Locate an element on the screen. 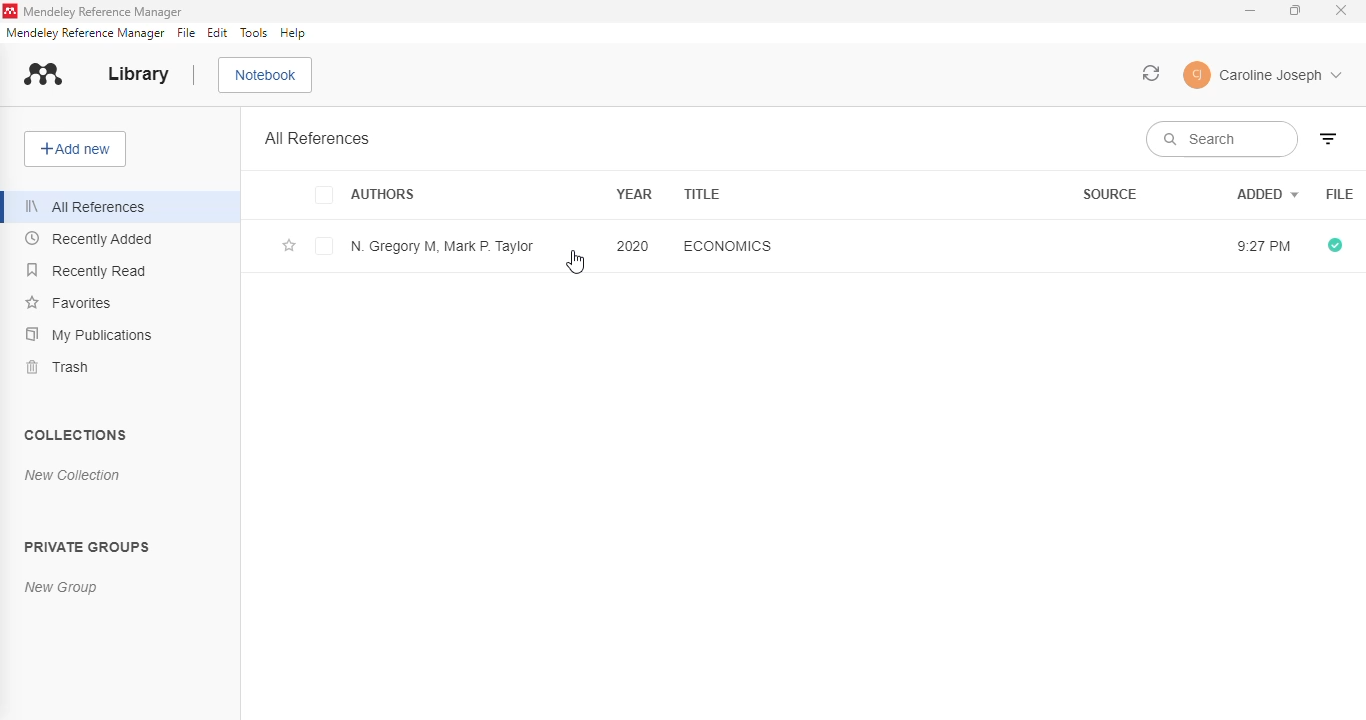  File is located at coordinates (1340, 193).